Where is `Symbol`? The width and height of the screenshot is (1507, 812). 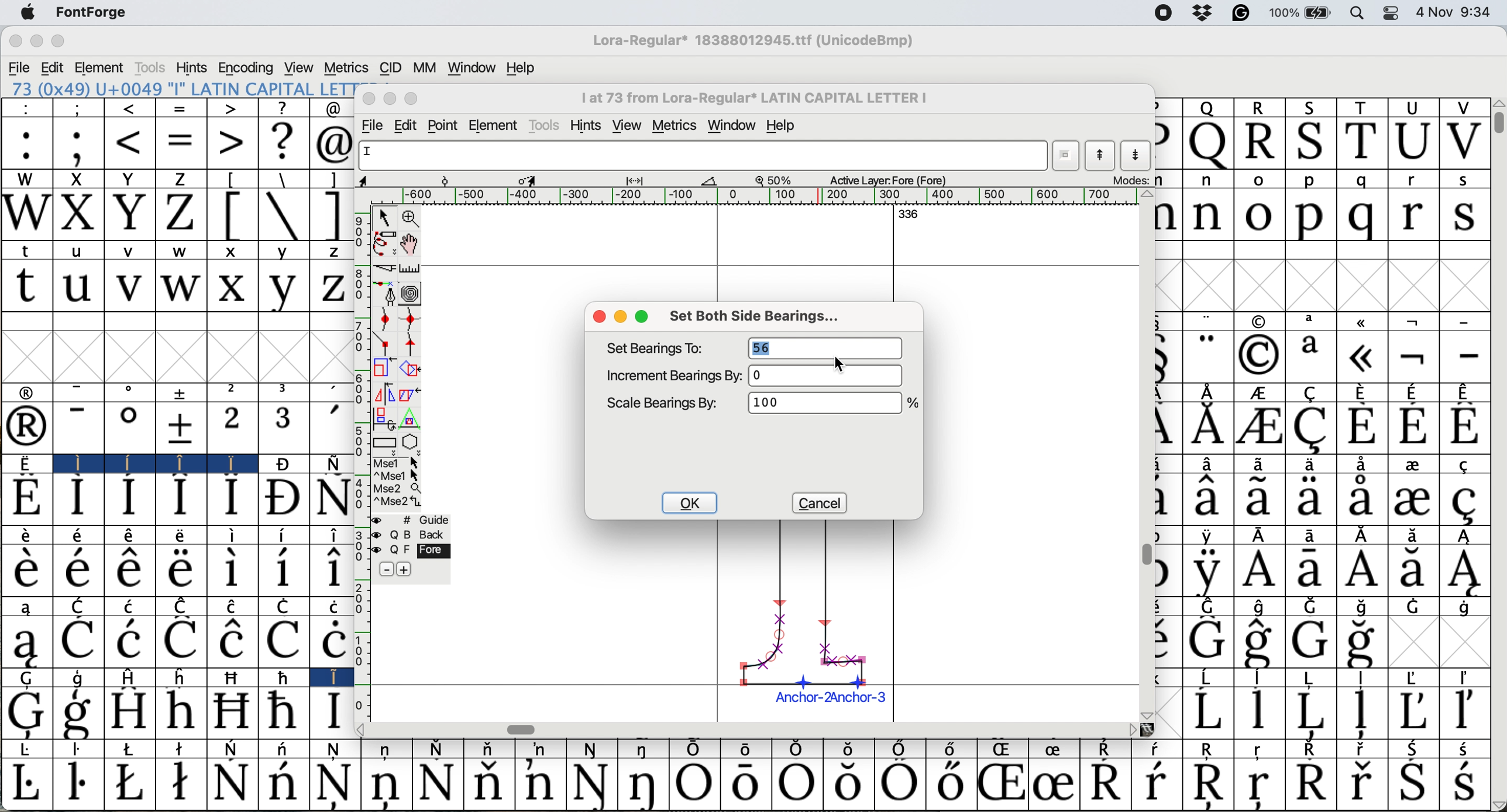
Symbol is located at coordinates (1208, 465).